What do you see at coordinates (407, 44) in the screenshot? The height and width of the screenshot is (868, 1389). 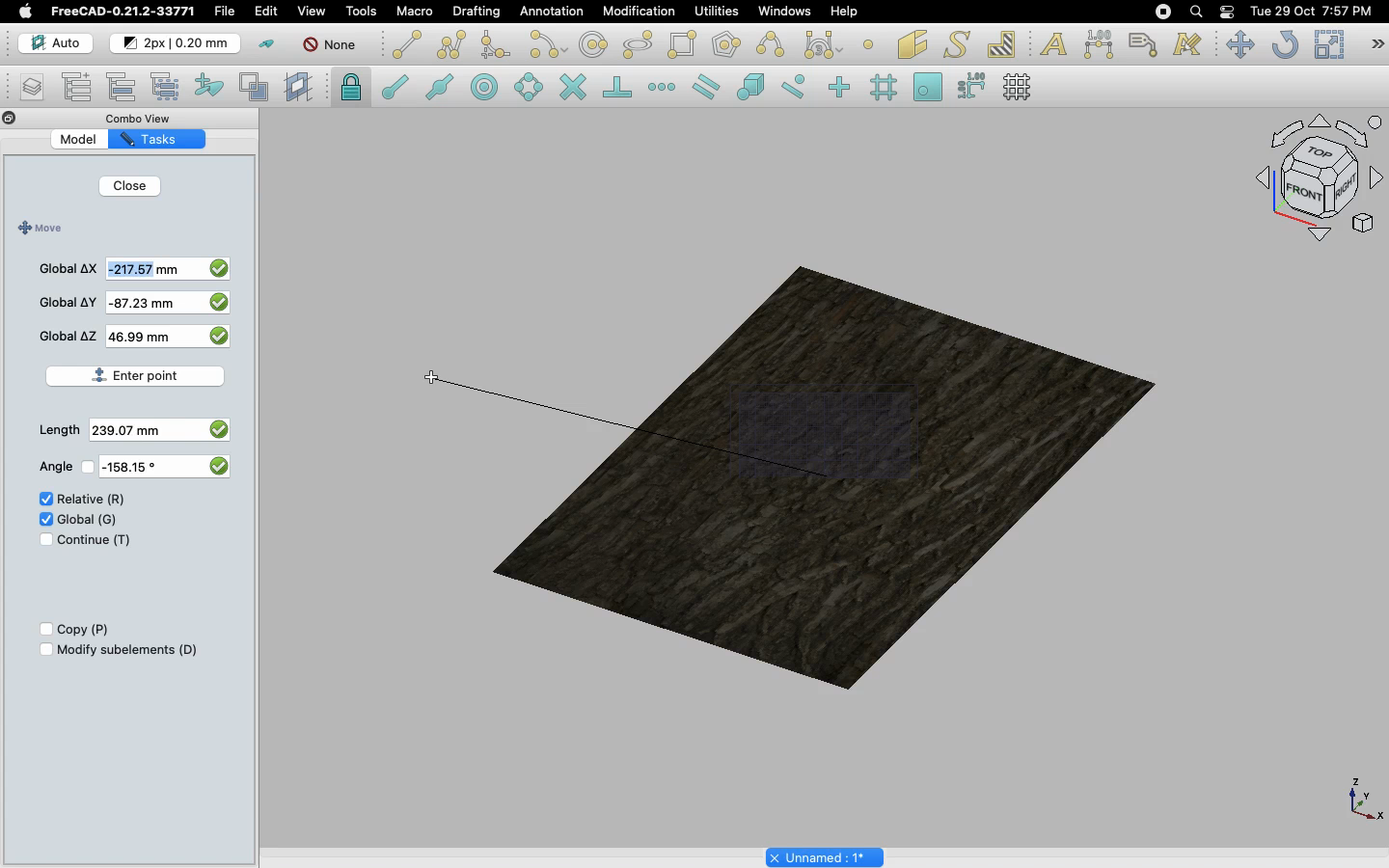 I see `Line` at bounding box center [407, 44].